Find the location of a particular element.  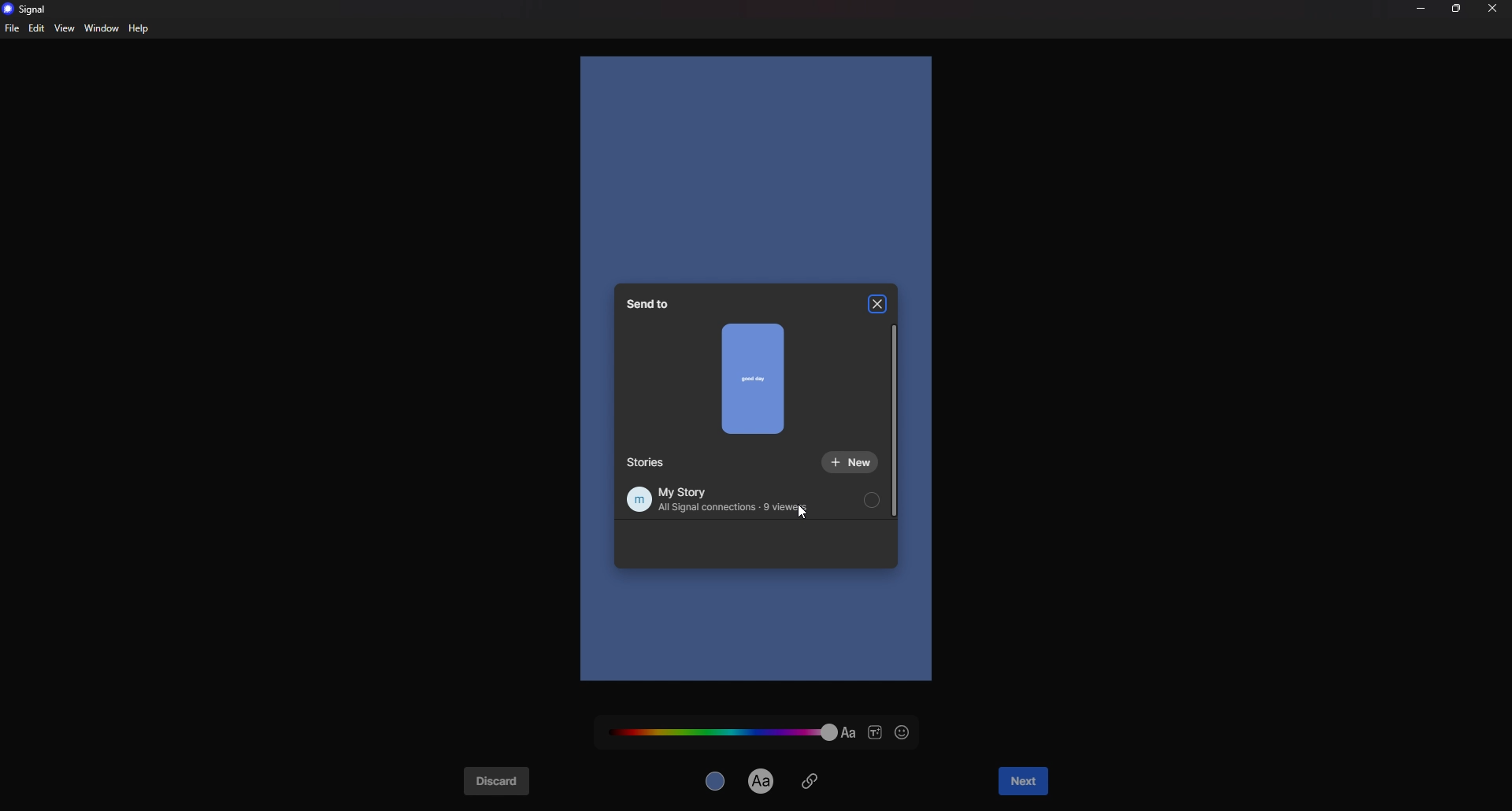

signal is located at coordinates (29, 9).